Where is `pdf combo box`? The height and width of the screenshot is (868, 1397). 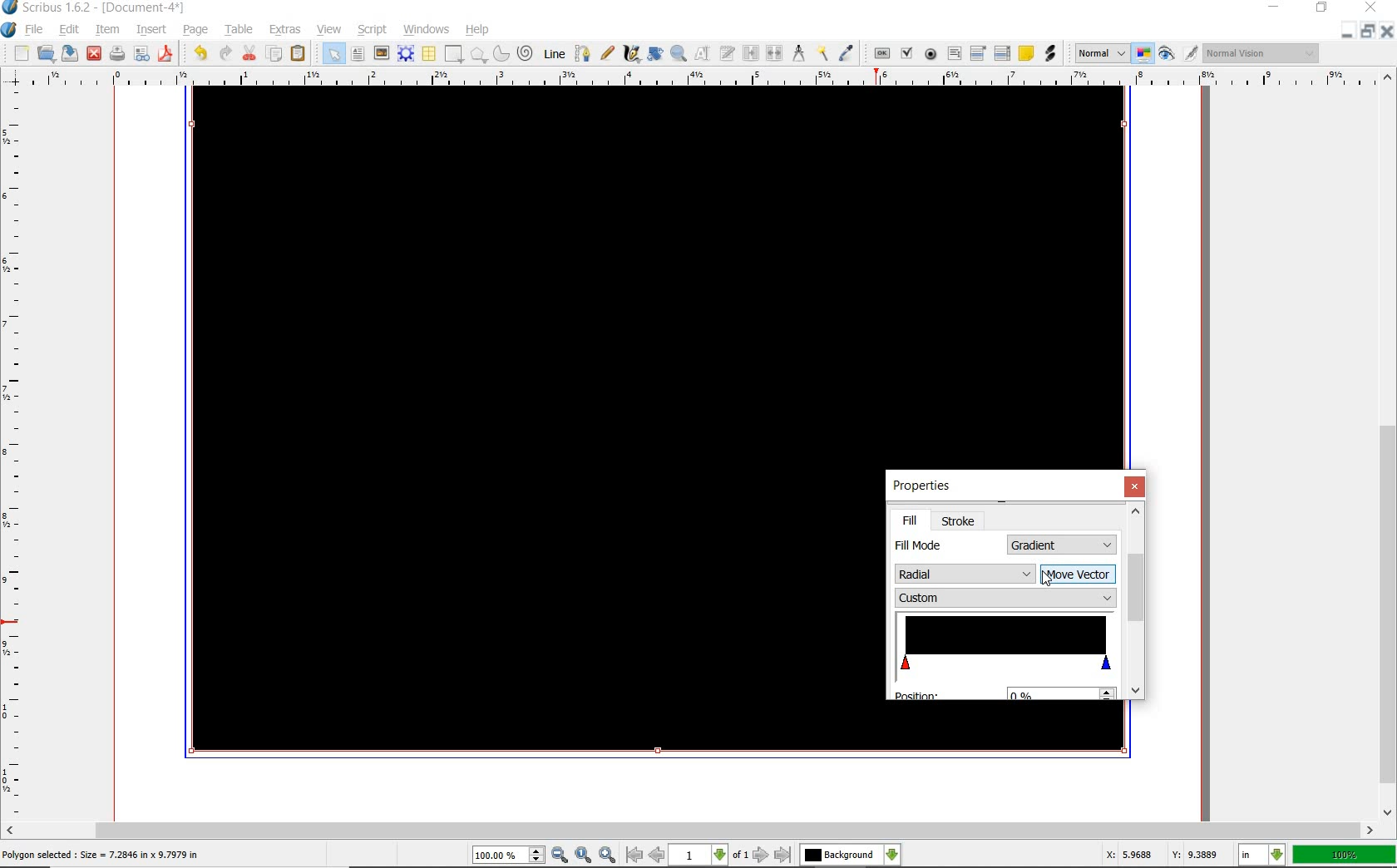
pdf combo box is located at coordinates (977, 52).